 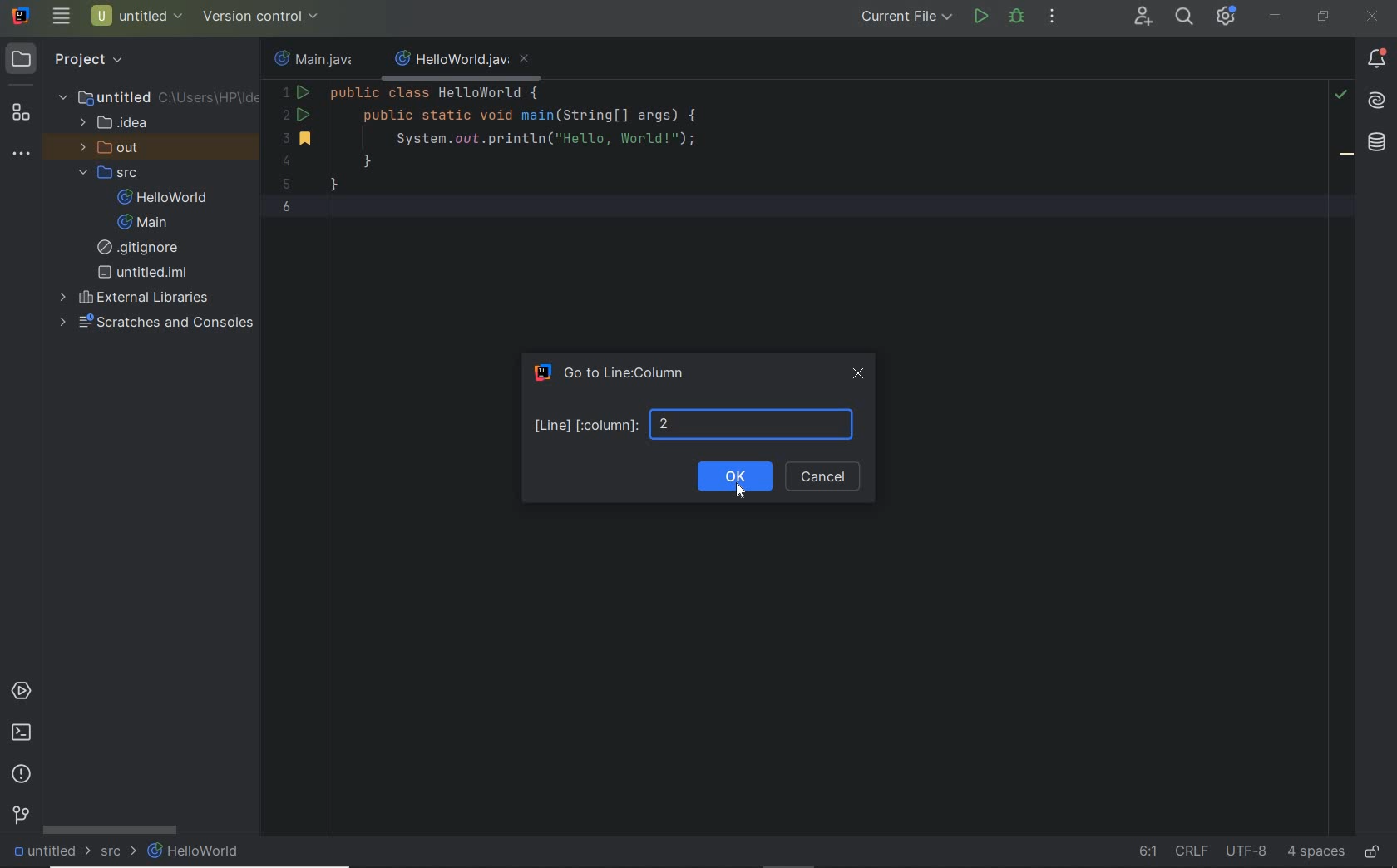 I want to click on HelloWorld, so click(x=195, y=851).